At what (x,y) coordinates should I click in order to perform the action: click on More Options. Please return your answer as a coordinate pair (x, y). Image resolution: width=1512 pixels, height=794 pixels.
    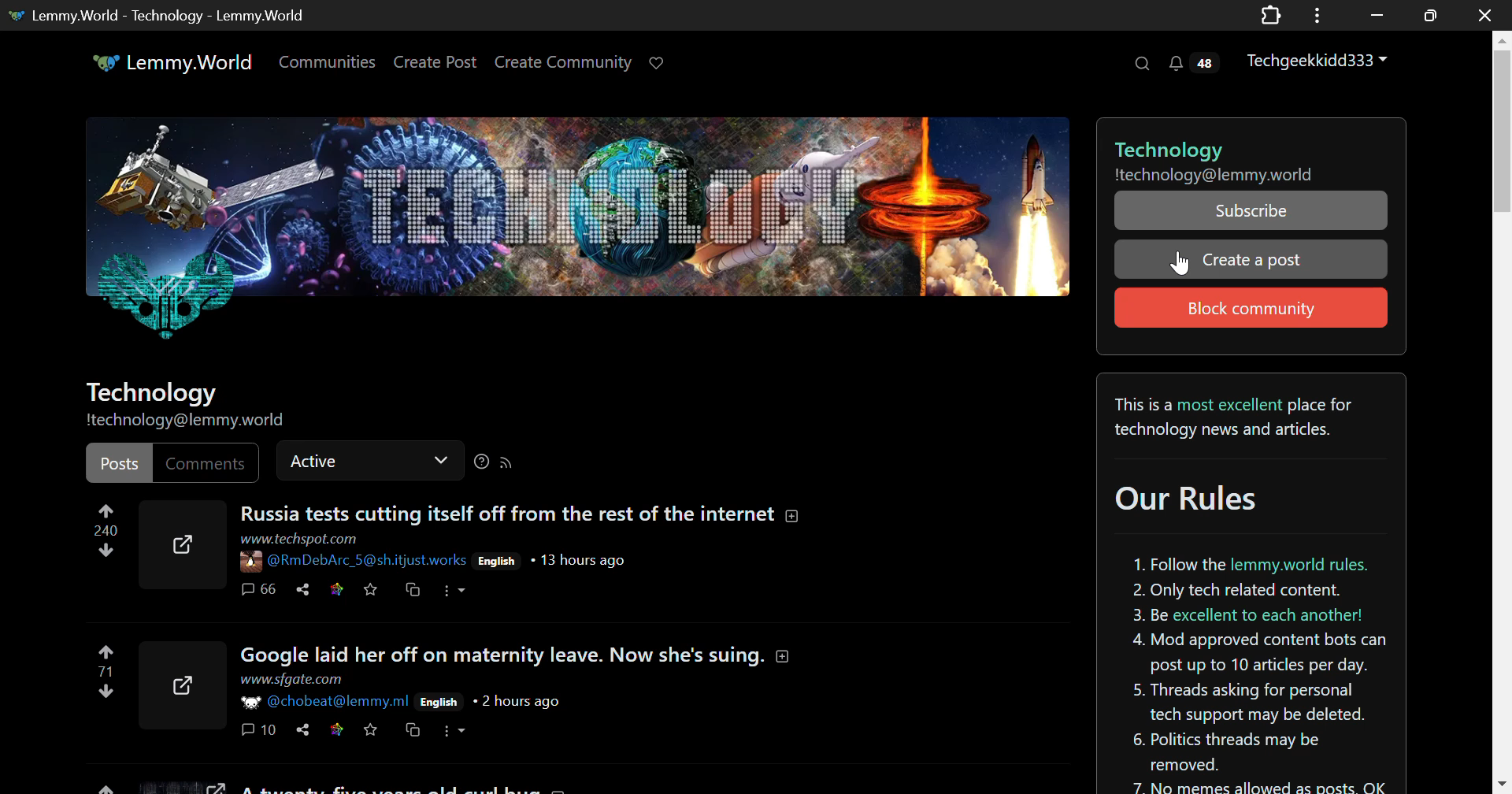
    Looking at the image, I should click on (454, 732).